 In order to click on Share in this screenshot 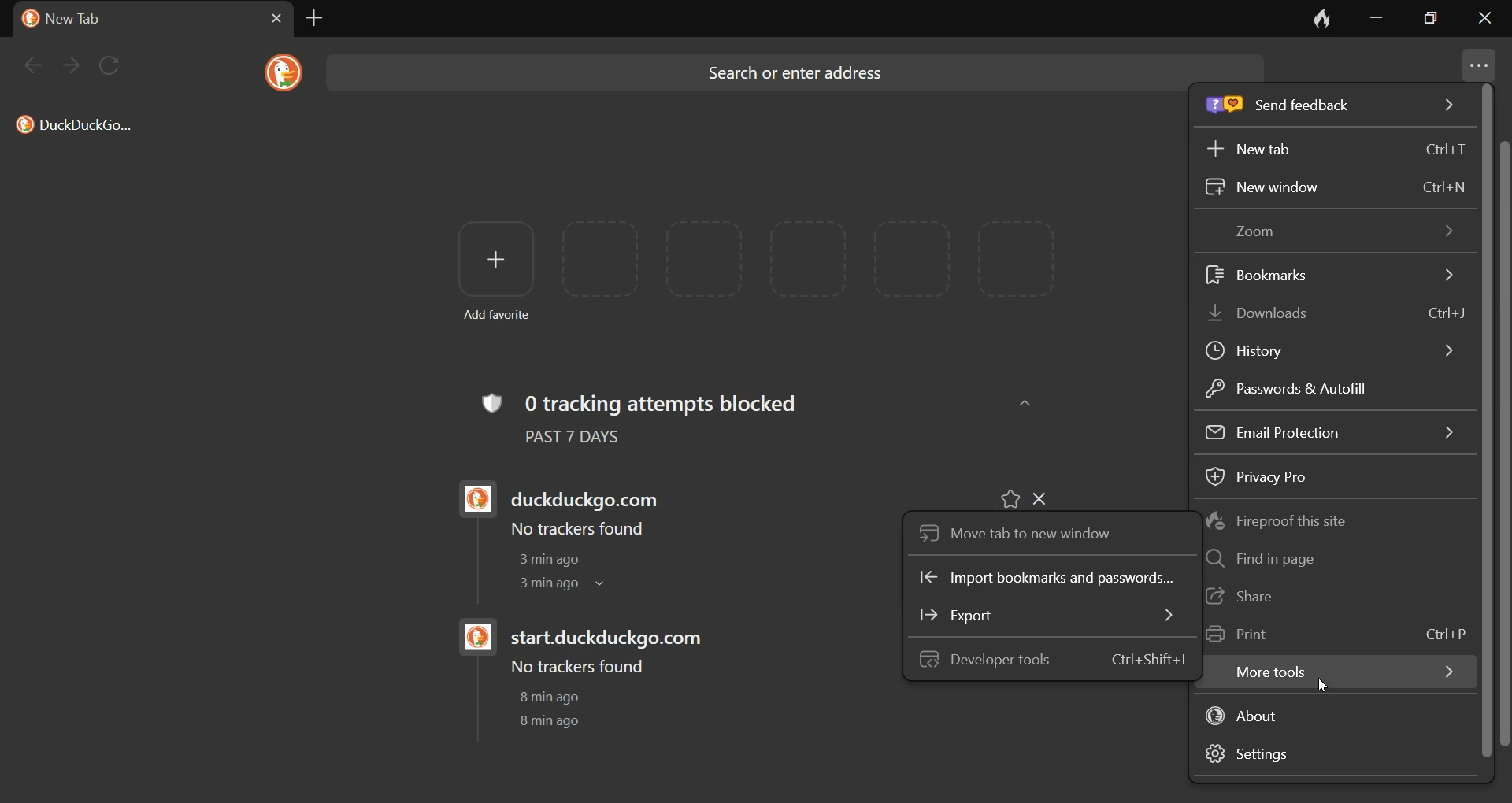, I will do `click(1251, 595)`.